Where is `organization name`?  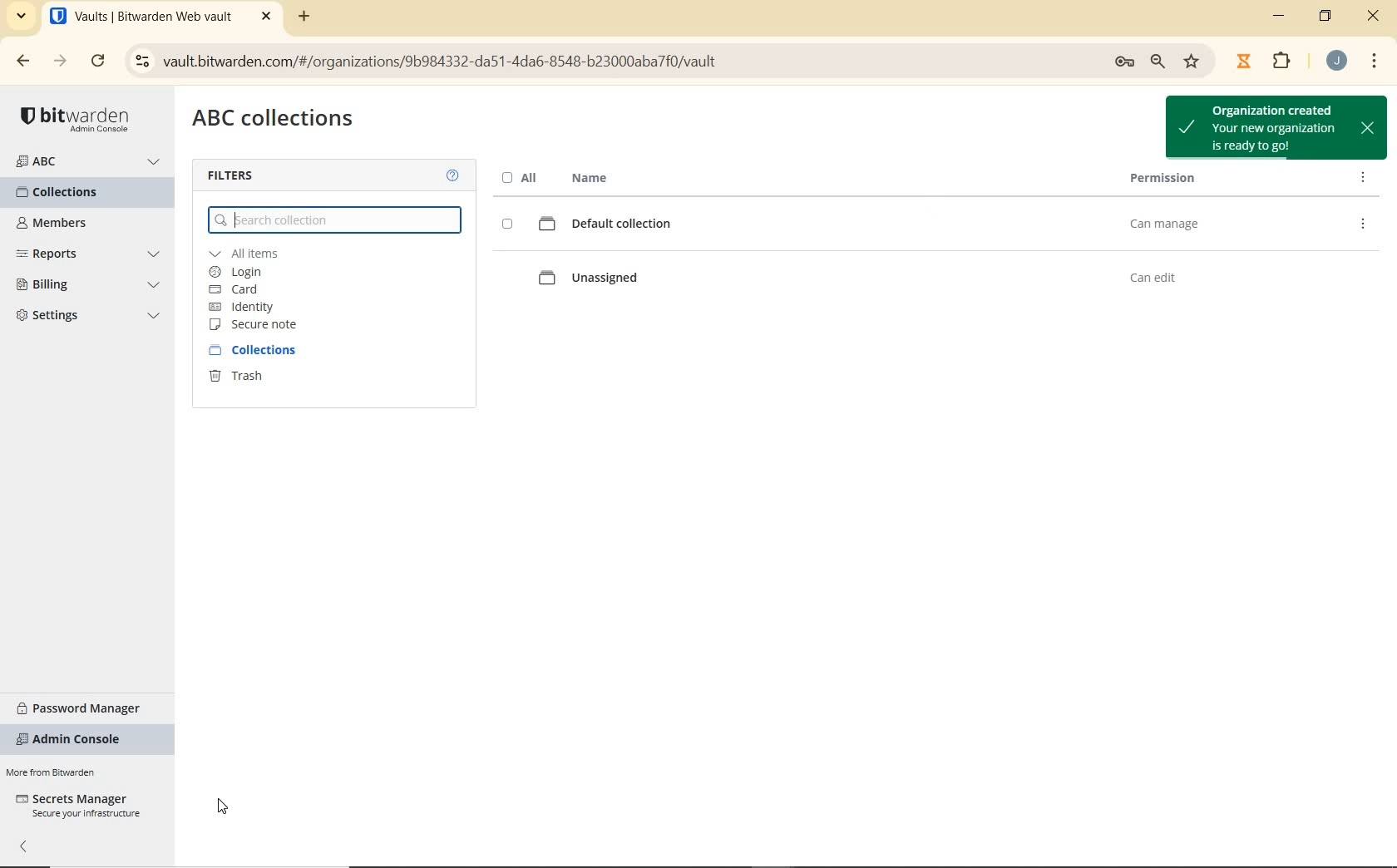
organization name is located at coordinates (274, 118).